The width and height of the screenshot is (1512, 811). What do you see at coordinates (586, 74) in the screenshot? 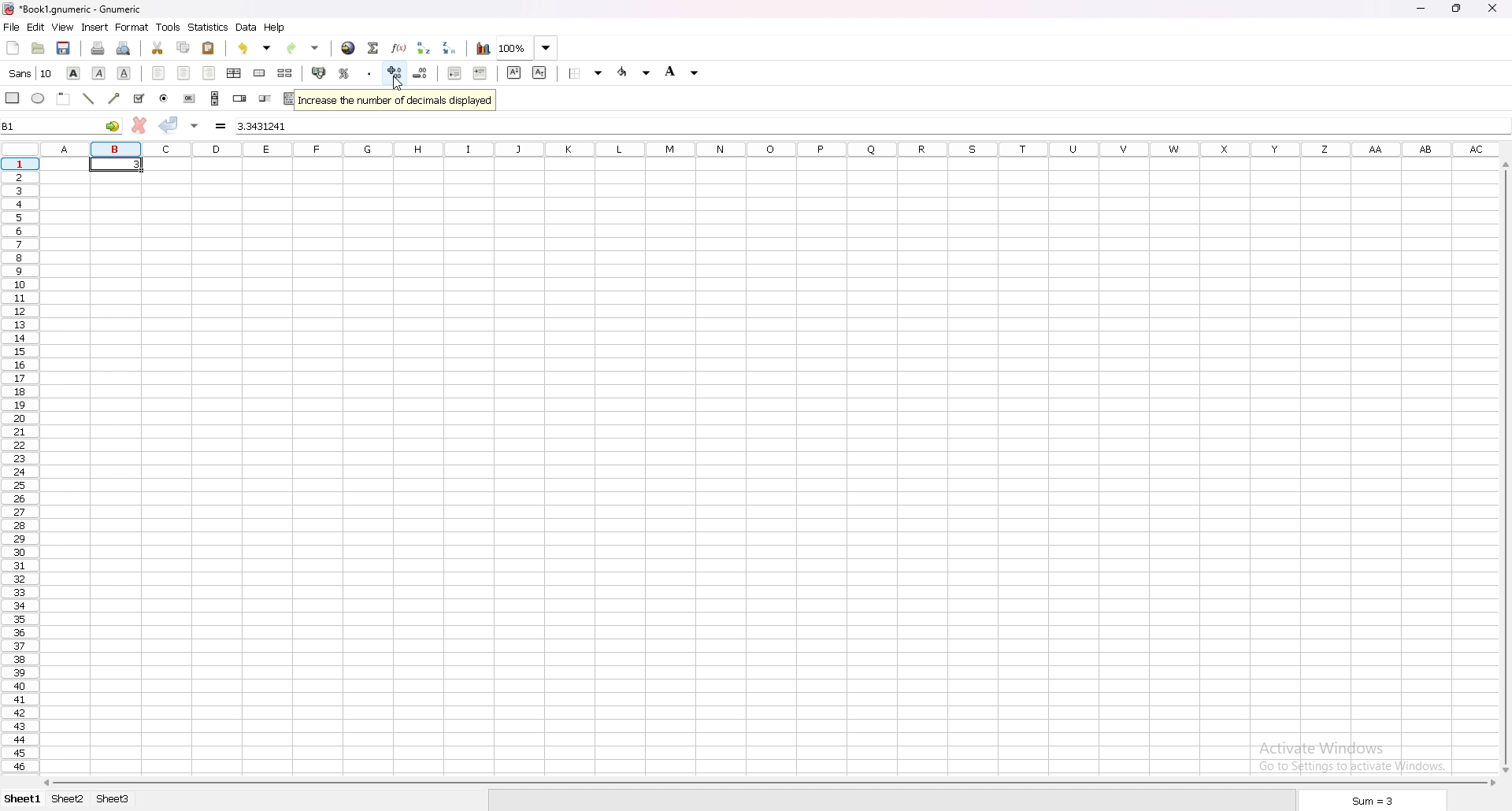
I see `border` at bounding box center [586, 74].